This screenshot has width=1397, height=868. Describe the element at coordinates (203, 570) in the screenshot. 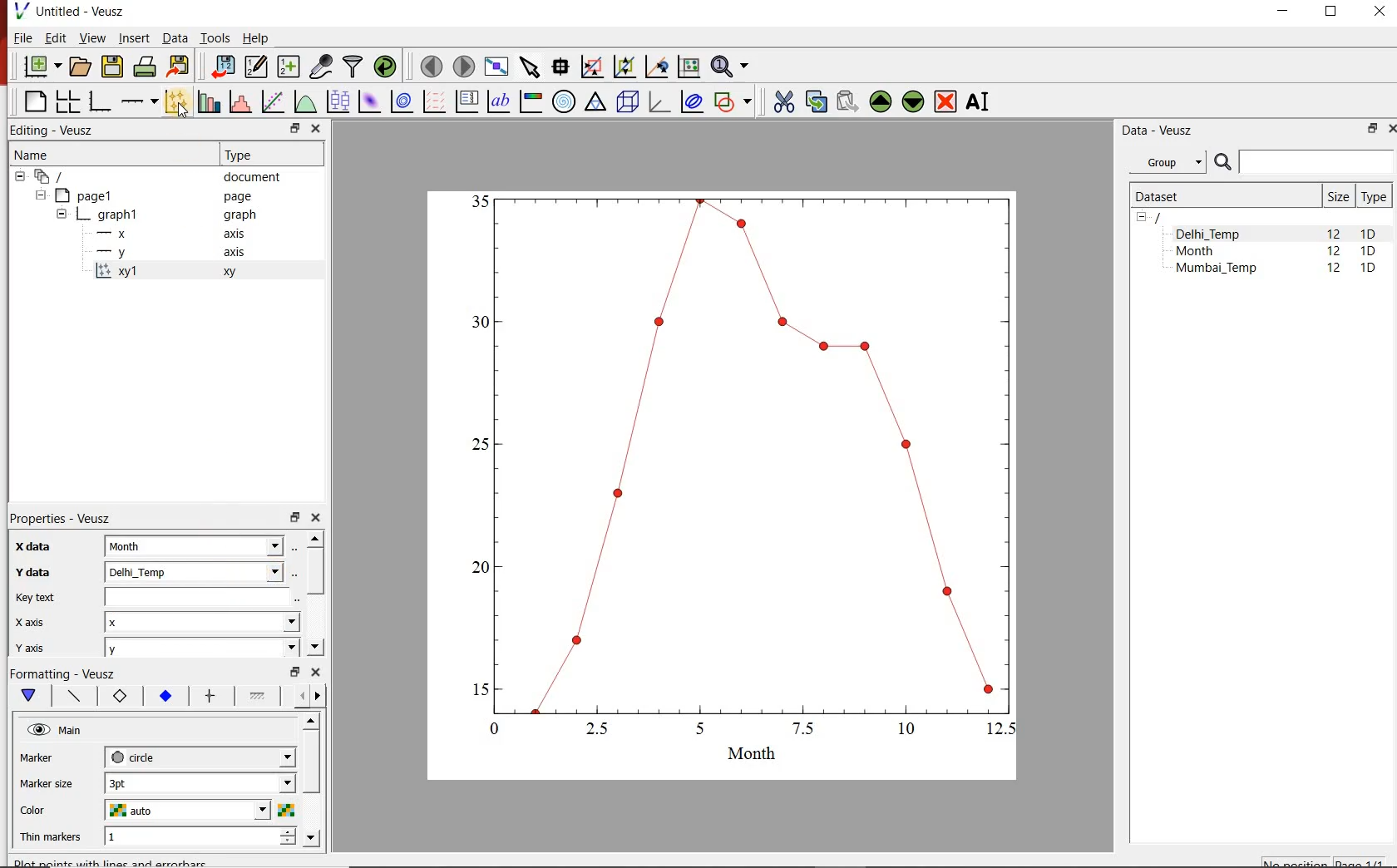

I see `Delhi_Temp` at that location.